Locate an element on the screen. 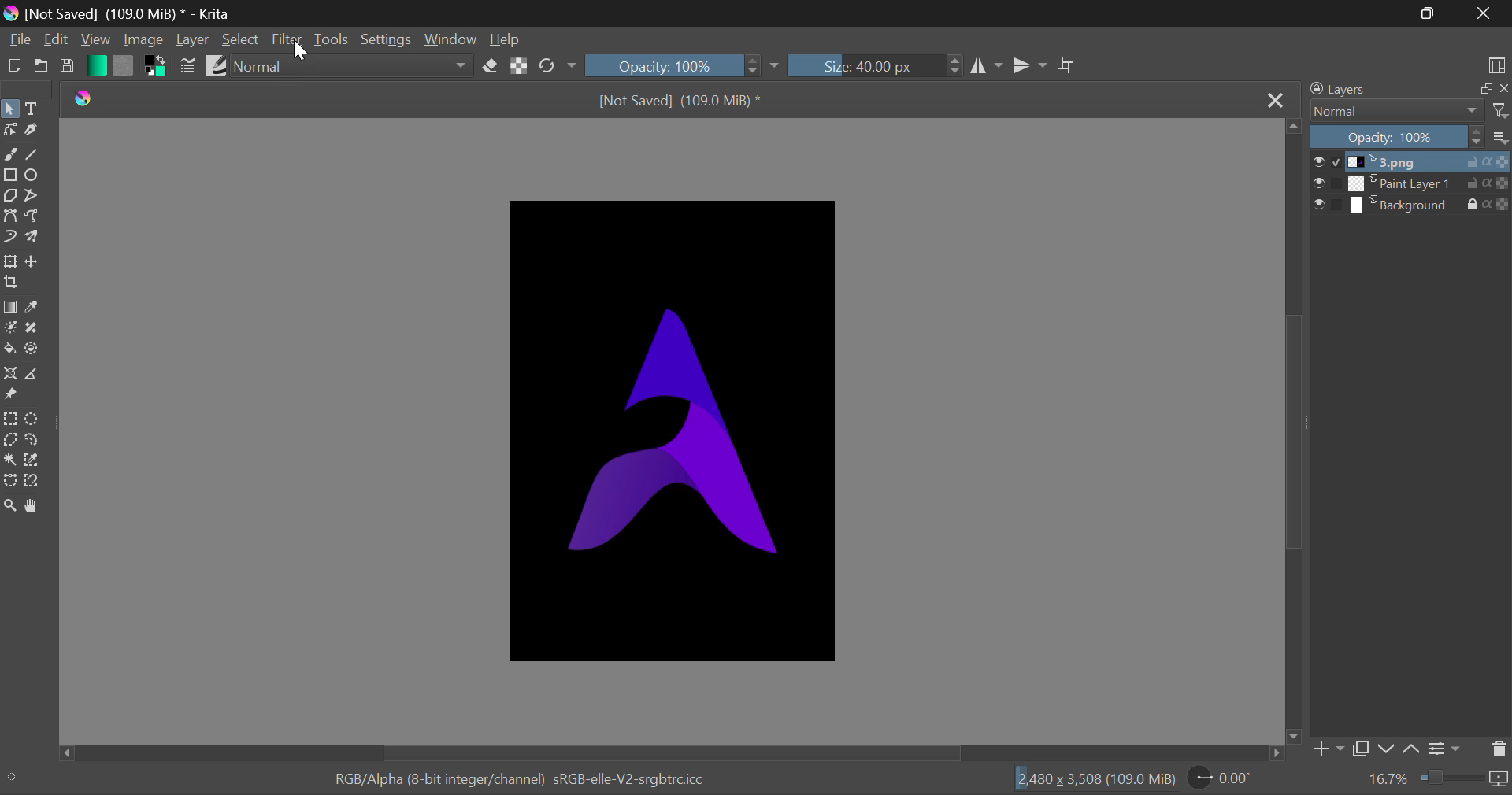 This screenshot has height=795, width=1512. Pattern is located at coordinates (123, 66).